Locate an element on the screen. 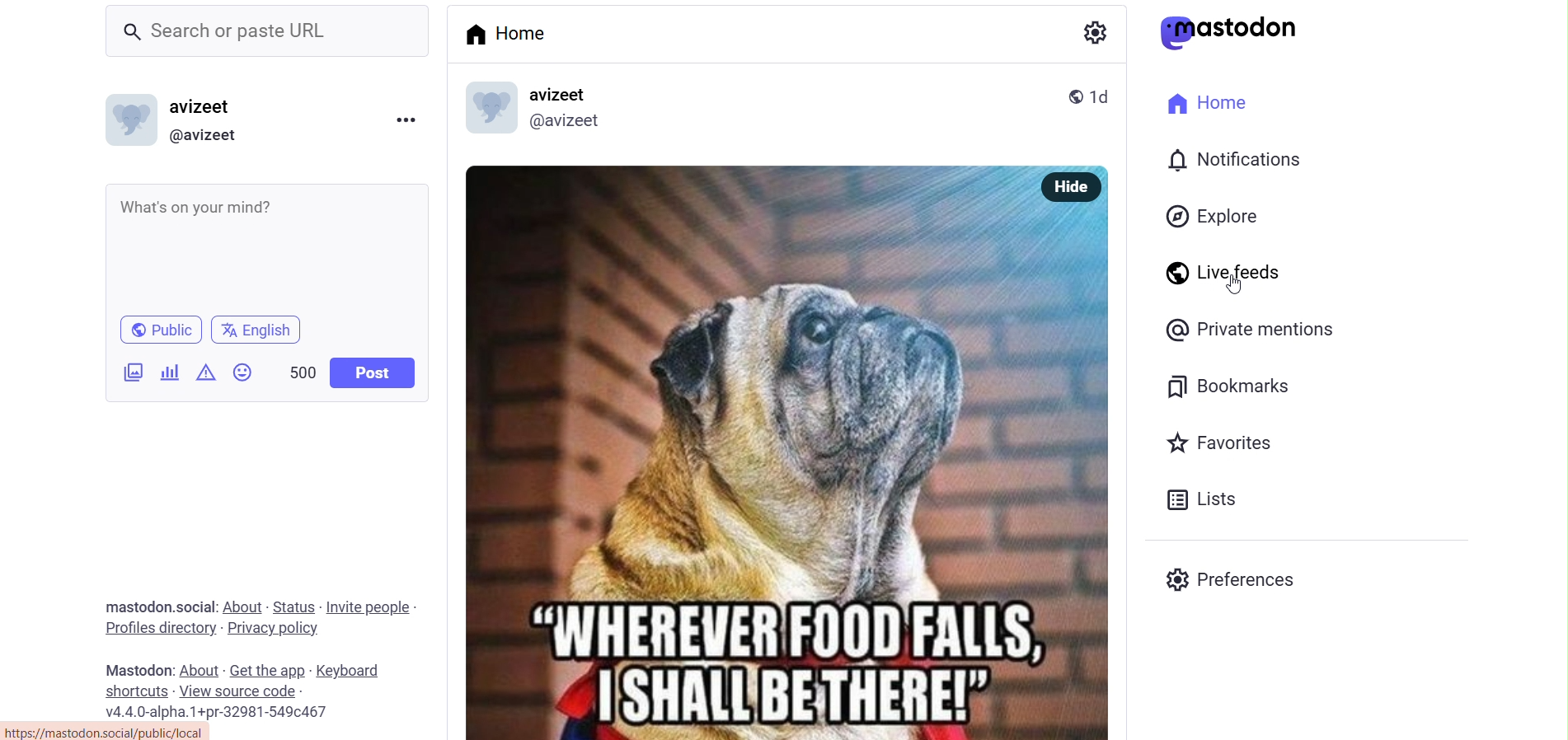 Image resolution: width=1568 pixels, height=740 pixels. privacy policy is located at coordinates (272, 627).